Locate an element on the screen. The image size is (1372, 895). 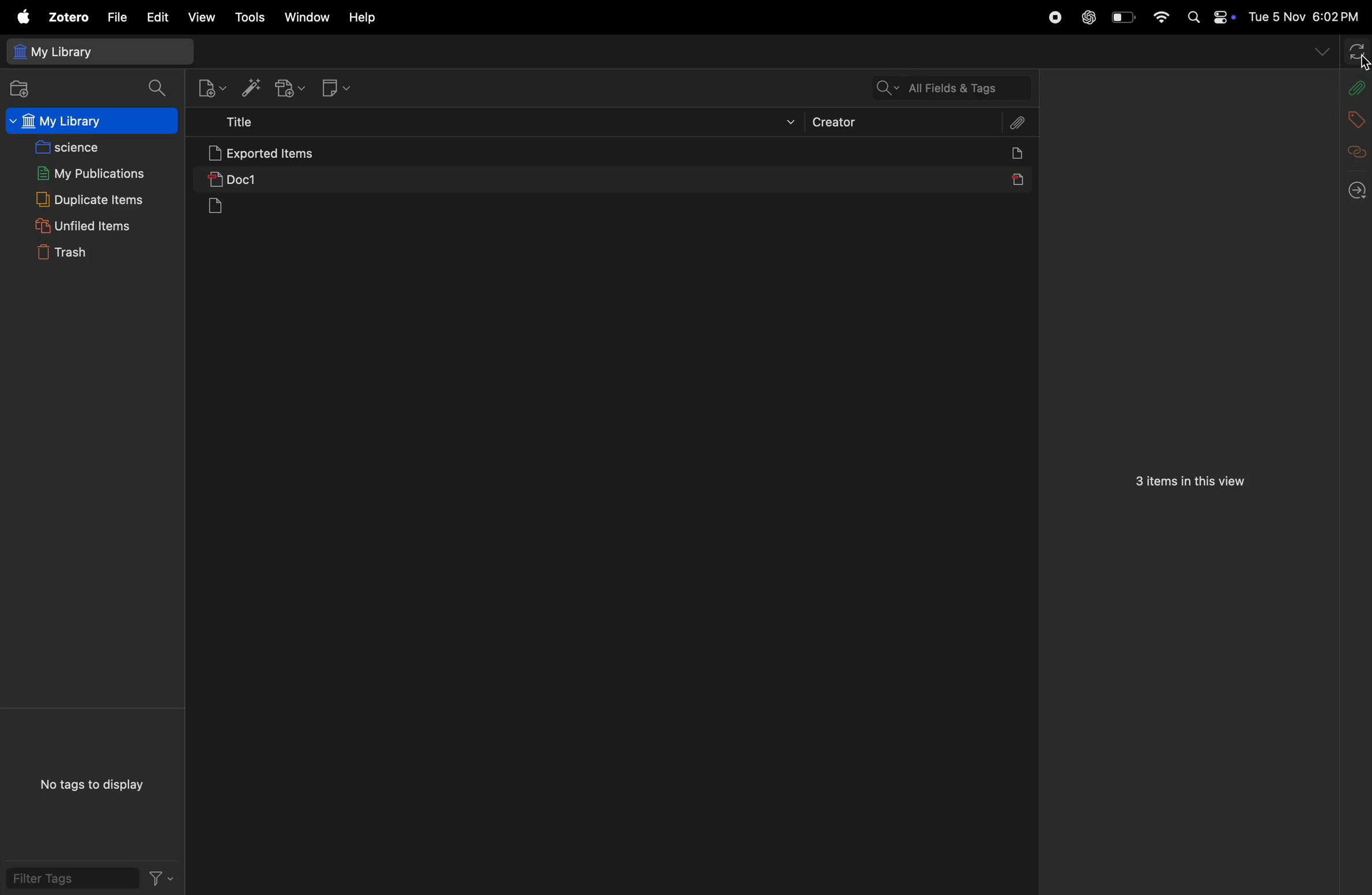
sync is located at coordinates (1358, 51).